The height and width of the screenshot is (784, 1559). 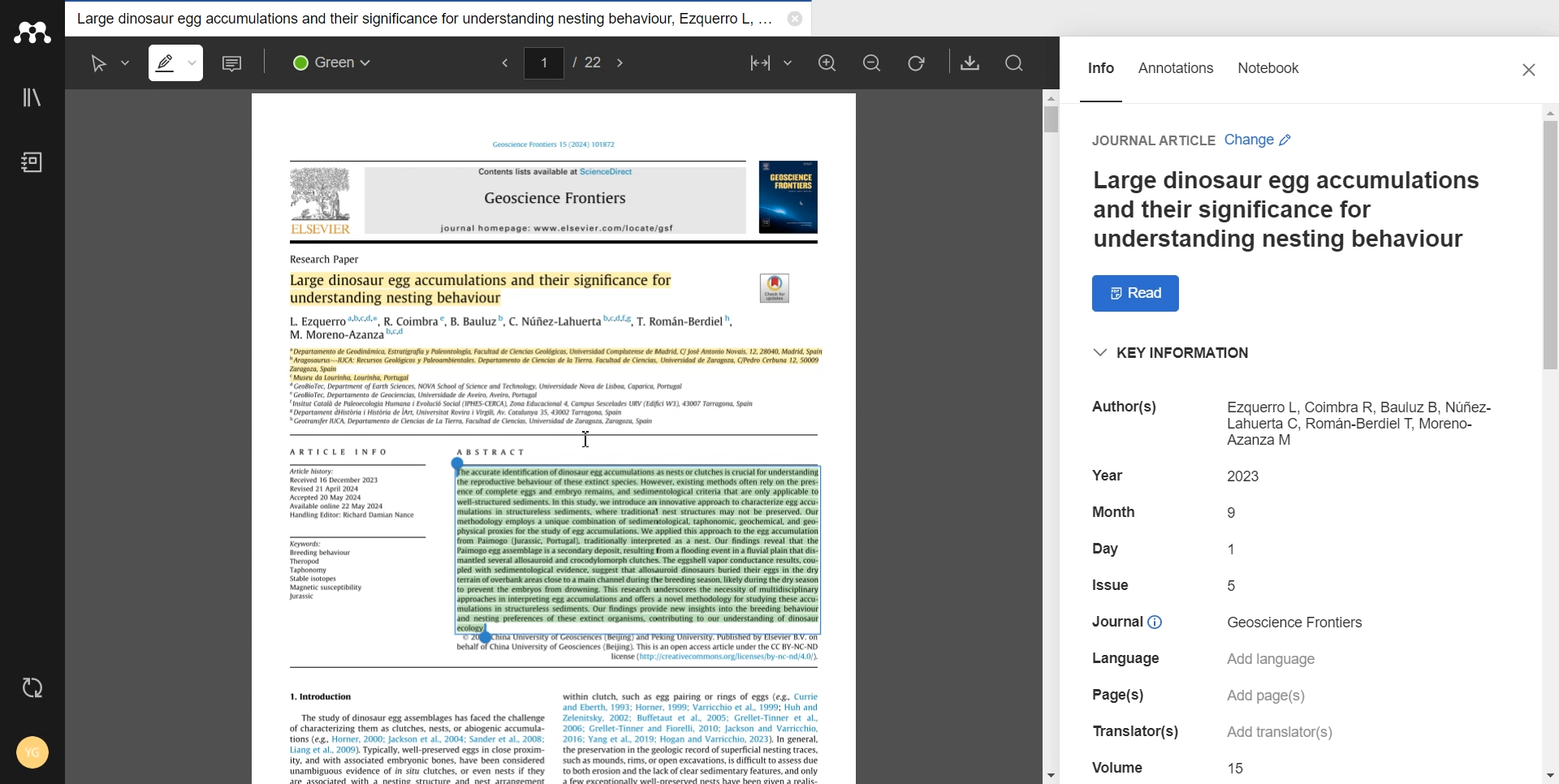 What do you see at coordinates (556, 365) in the screenshot?
I see `Highlighted Text` at bounding box center [556, 365].